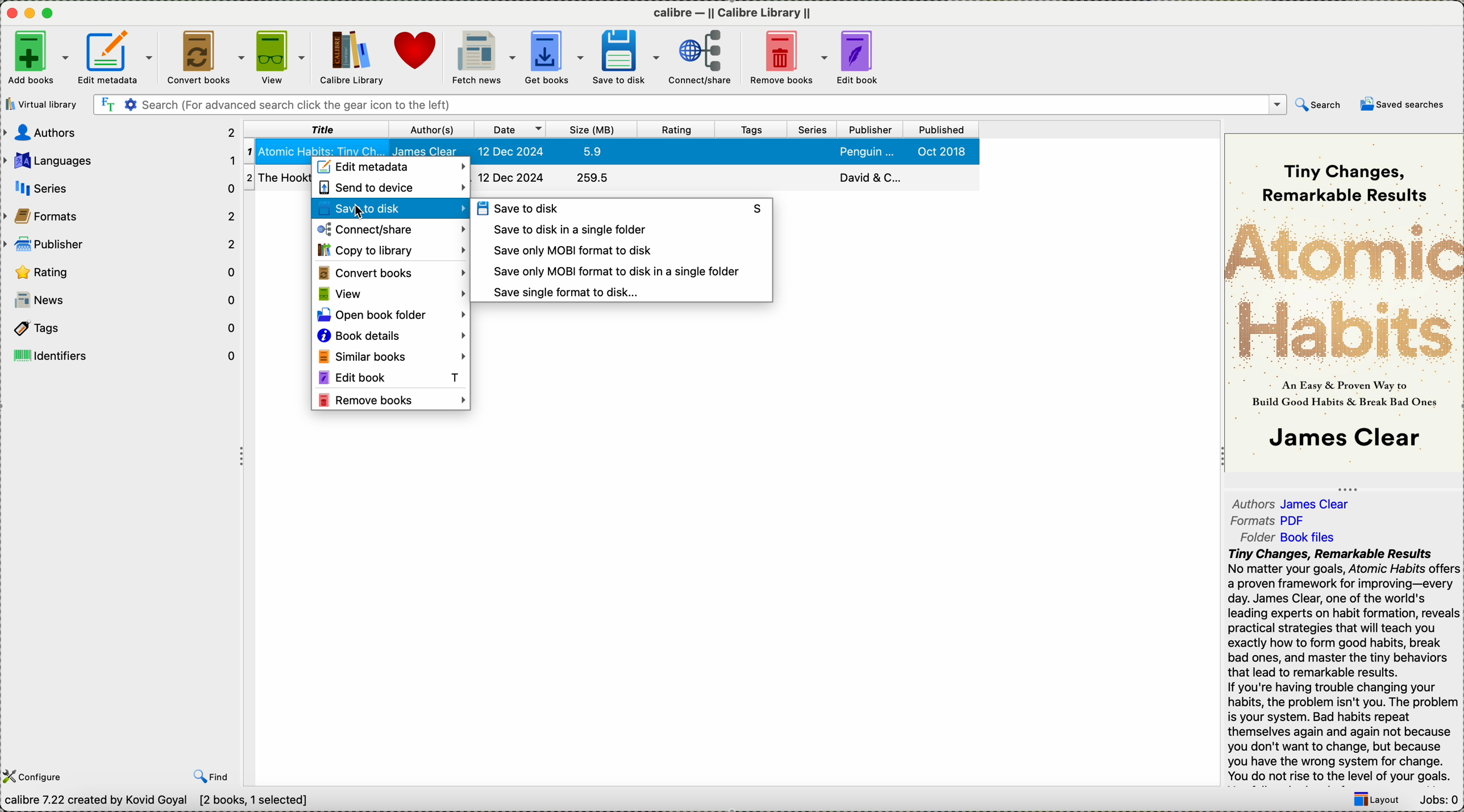 This screenshot has height=812, width=1464. What do you see at coordinates (120, 160) in the screenshot?
I see `languages` at bounding box center [120, 160].